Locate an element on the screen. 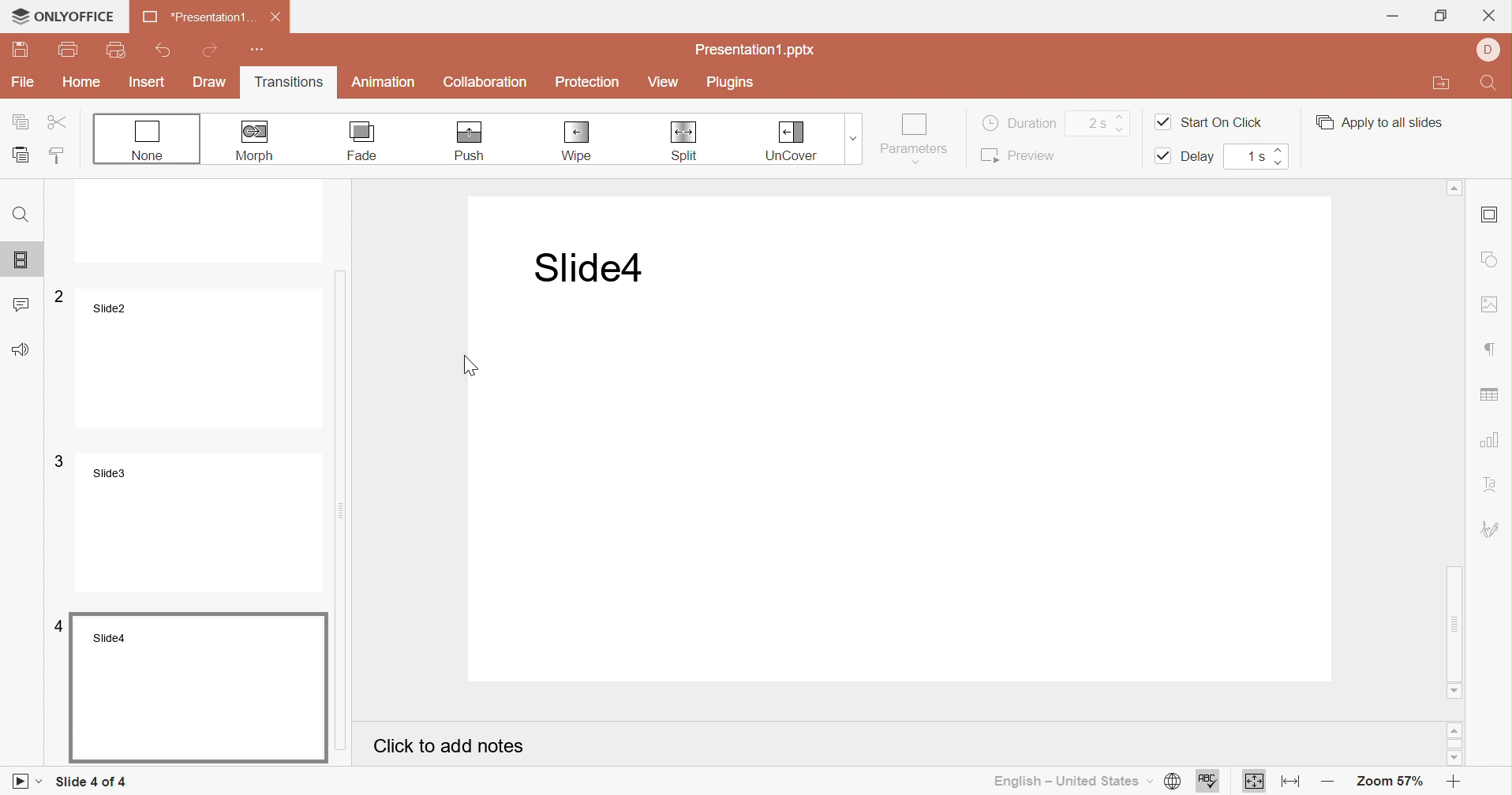  Slides is located at coordinates (24, 256).